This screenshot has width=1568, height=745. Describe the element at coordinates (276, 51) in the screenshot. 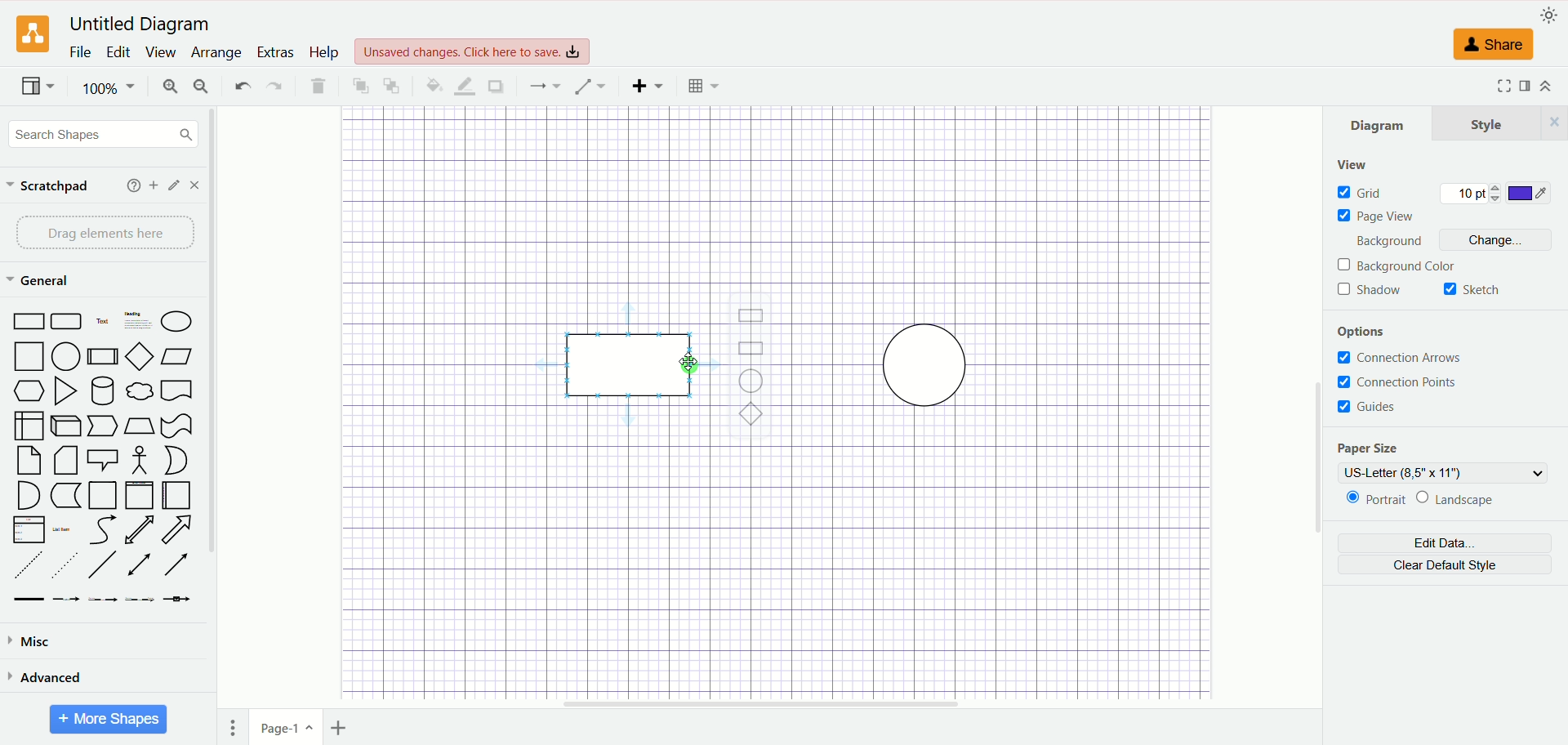

I see `extras` at that location.